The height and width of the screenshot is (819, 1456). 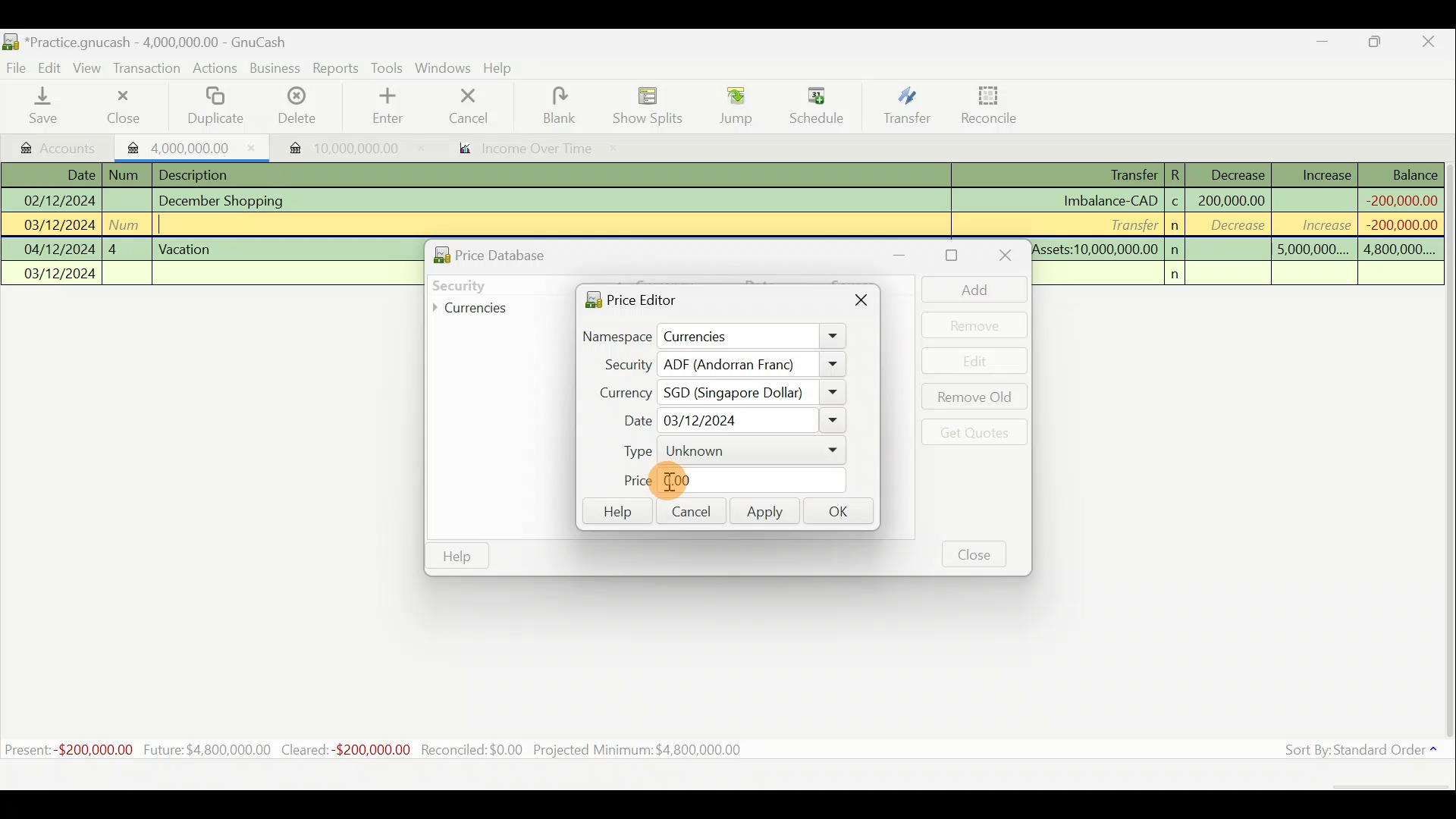 I want to click on Namespace, so click(x=715, y=337).